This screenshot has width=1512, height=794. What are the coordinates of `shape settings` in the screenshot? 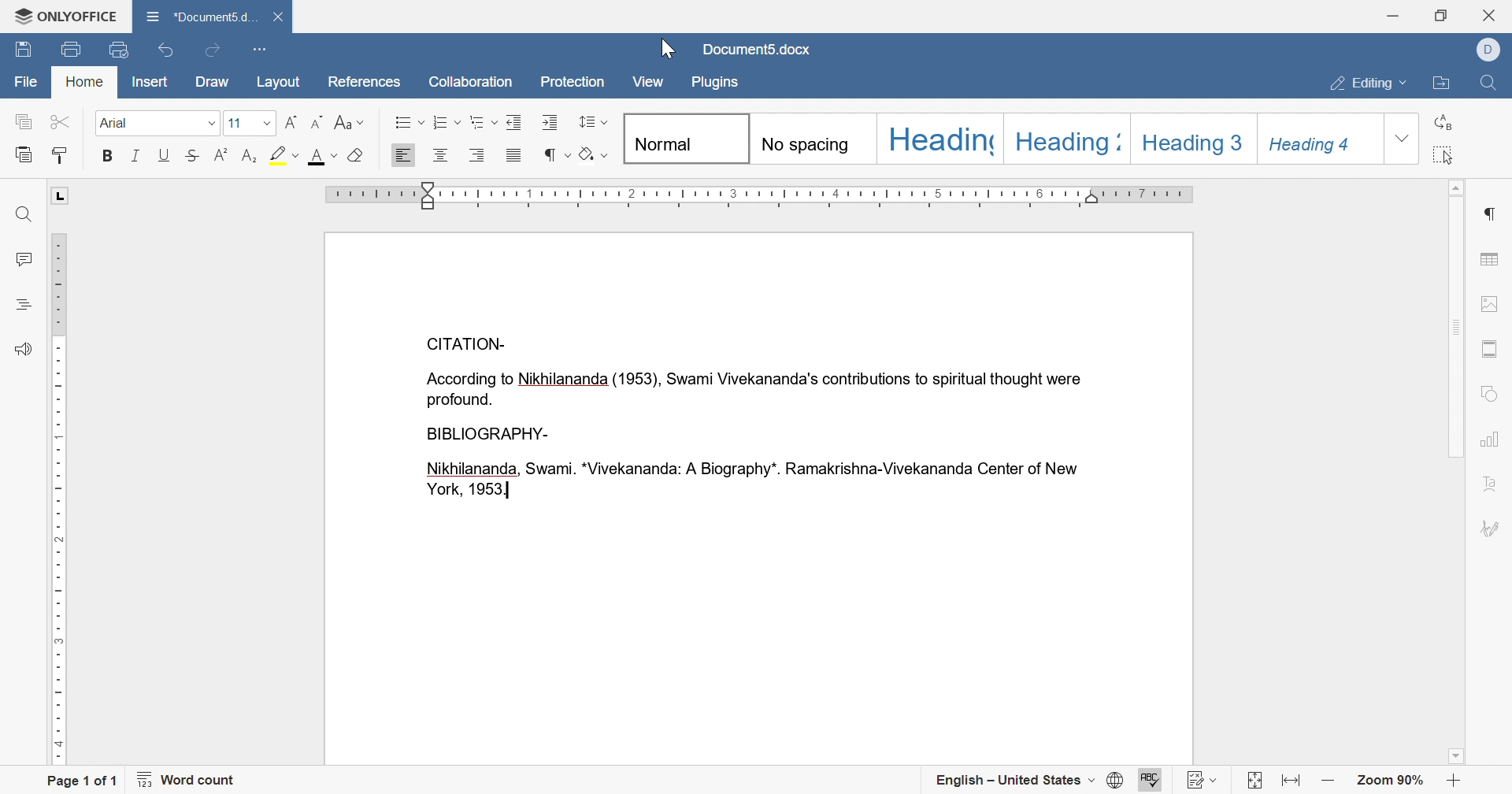 It's located at (1493, 392).